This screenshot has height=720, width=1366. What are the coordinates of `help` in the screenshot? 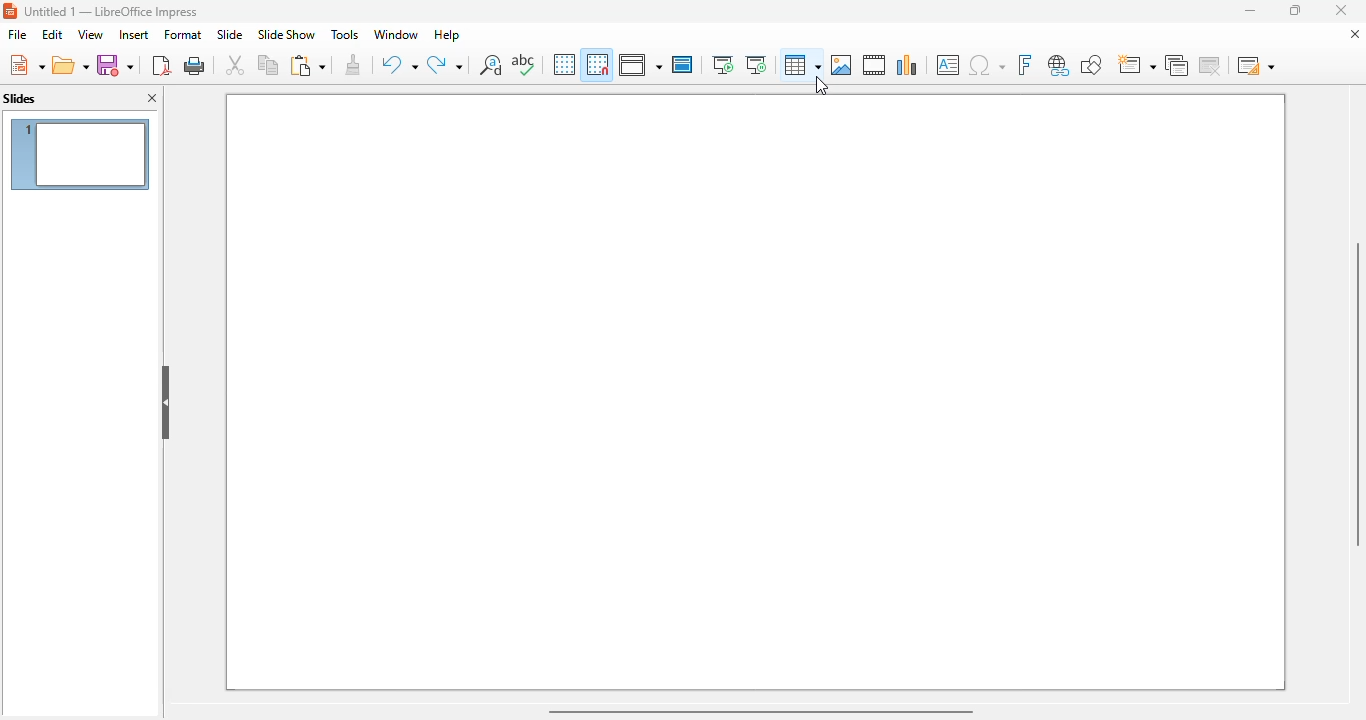 It's located at (448, 35).